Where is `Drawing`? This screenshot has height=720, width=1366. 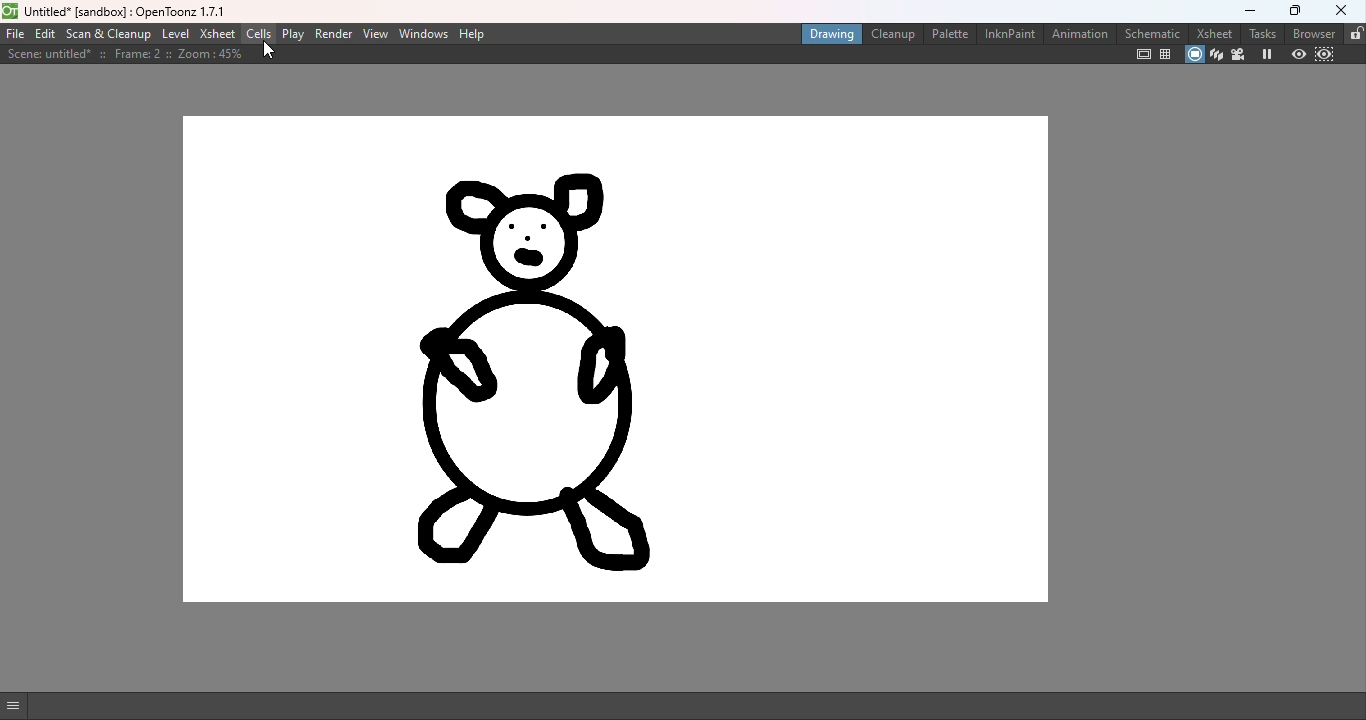 Drawing is located at coordinates (830, 35).